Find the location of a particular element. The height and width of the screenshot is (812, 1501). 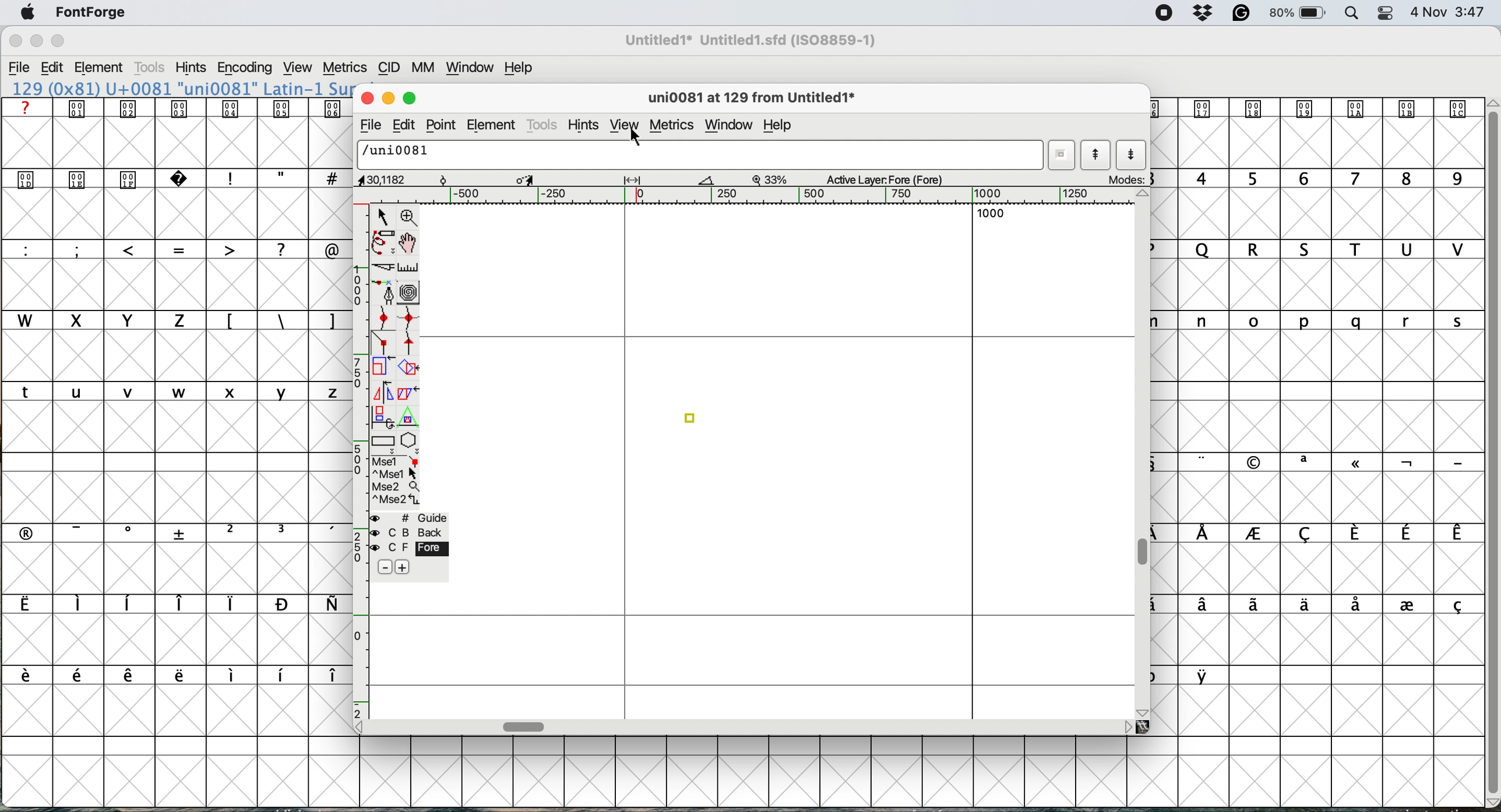

zoom is located at coordinates (412, 217).